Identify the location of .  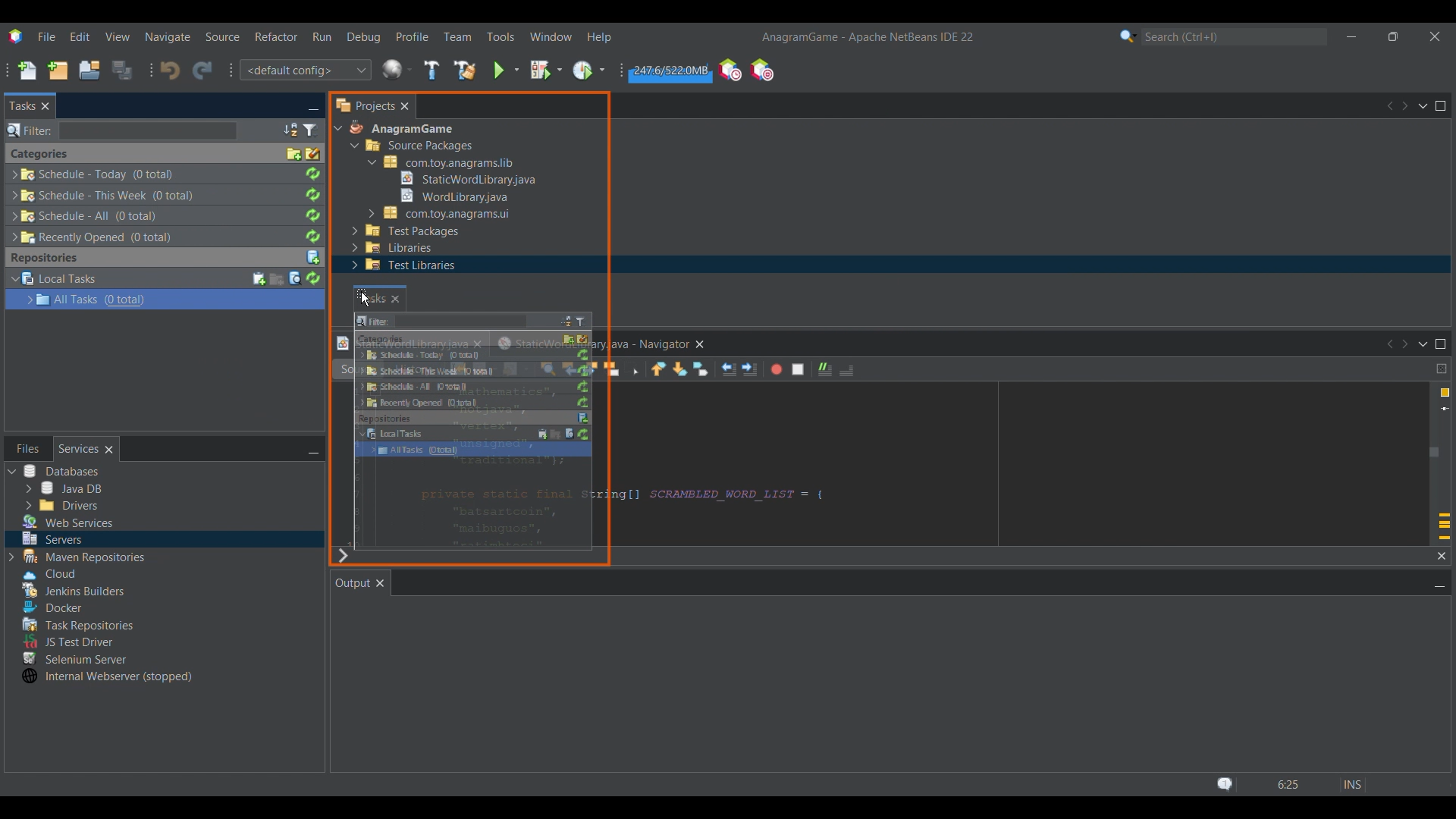
(419, 148).